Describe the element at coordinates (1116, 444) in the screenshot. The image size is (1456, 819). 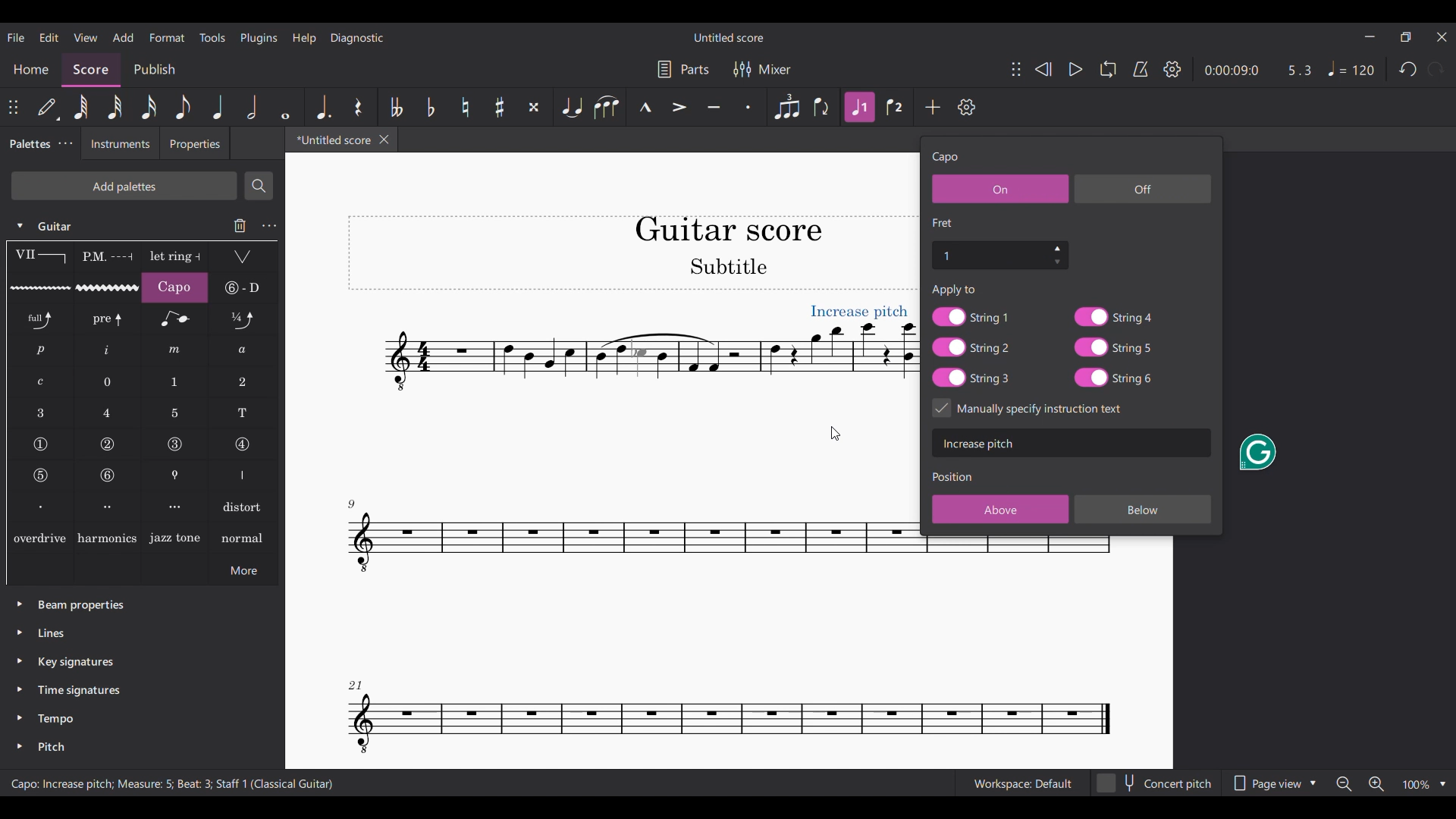
I see `Text box` at that location.